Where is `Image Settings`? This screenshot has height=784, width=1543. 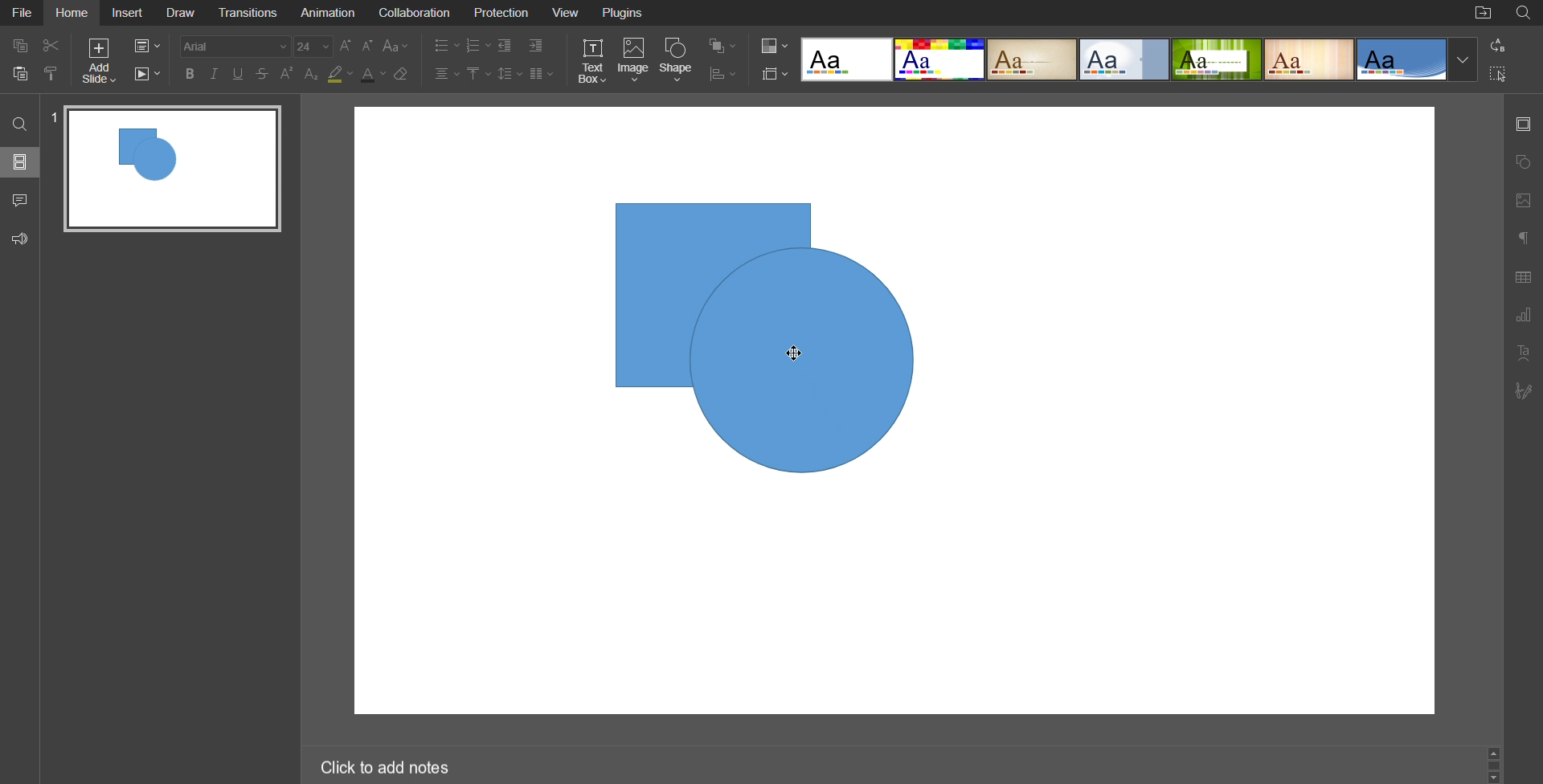
Image Settings is located at coordinates (1524, 200).